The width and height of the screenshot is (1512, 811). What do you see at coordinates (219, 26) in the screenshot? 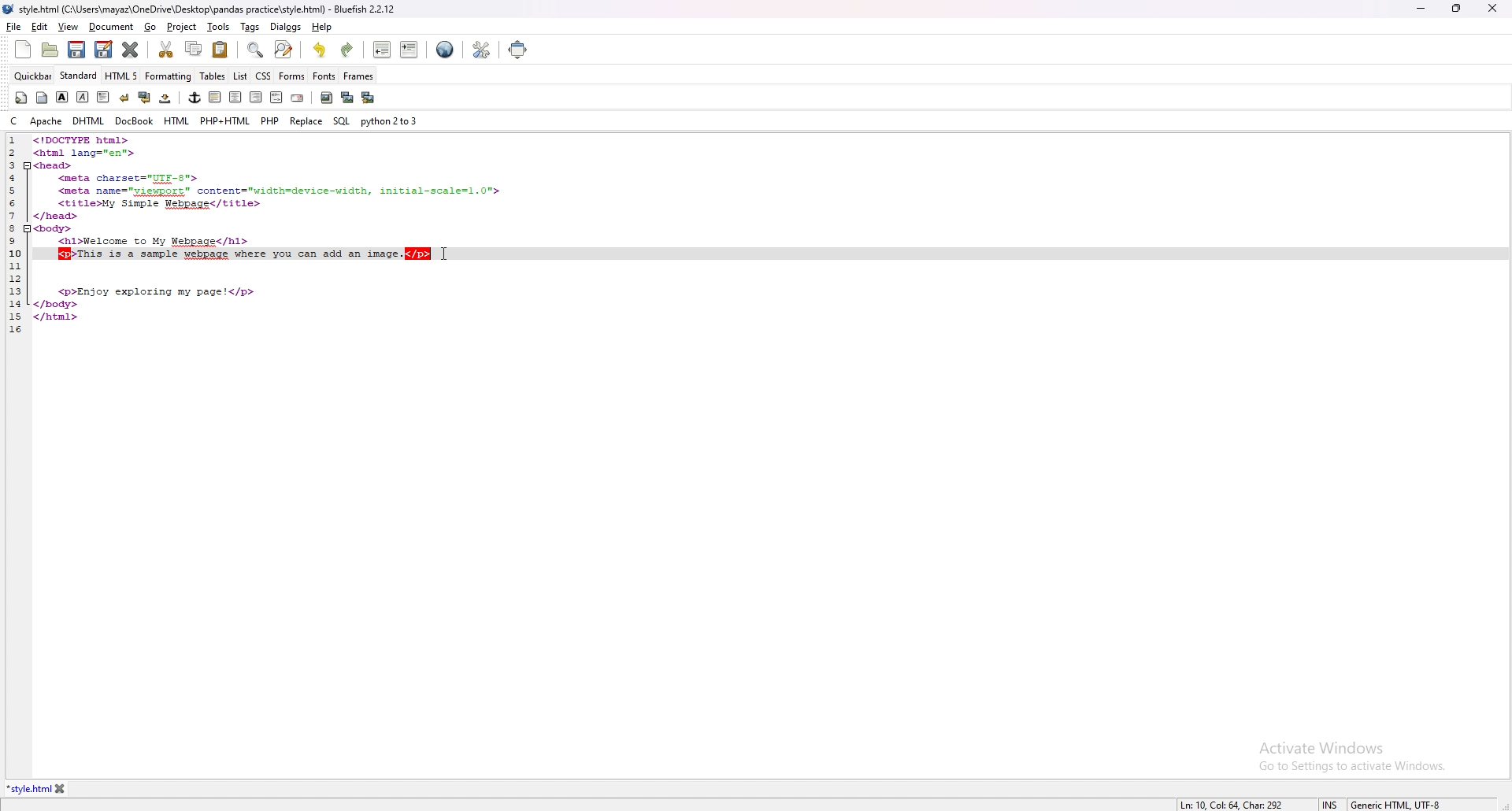
I see `tools` at bounding box center [219, 26].